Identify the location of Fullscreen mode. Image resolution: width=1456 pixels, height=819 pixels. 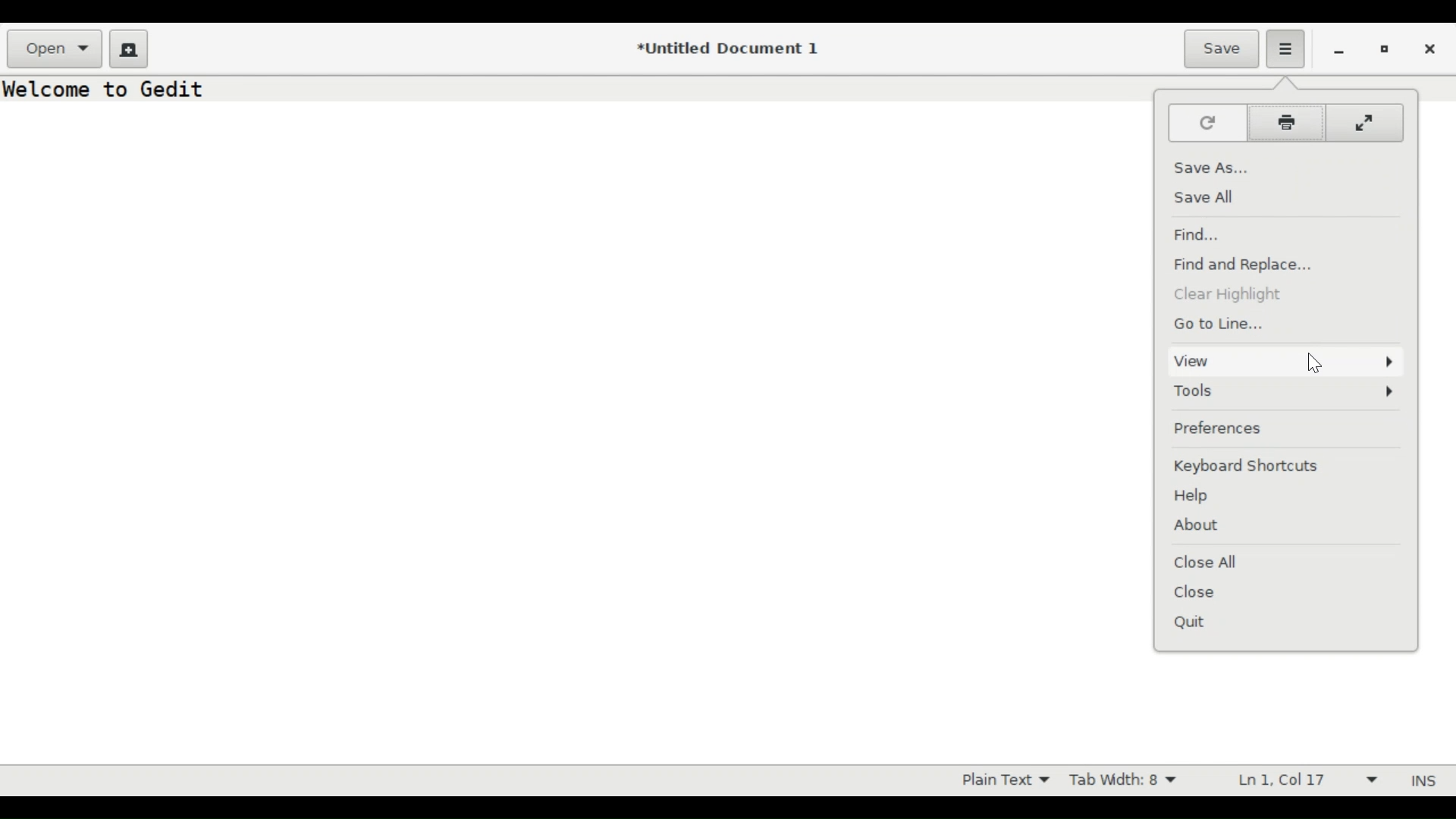
(1366, 124).